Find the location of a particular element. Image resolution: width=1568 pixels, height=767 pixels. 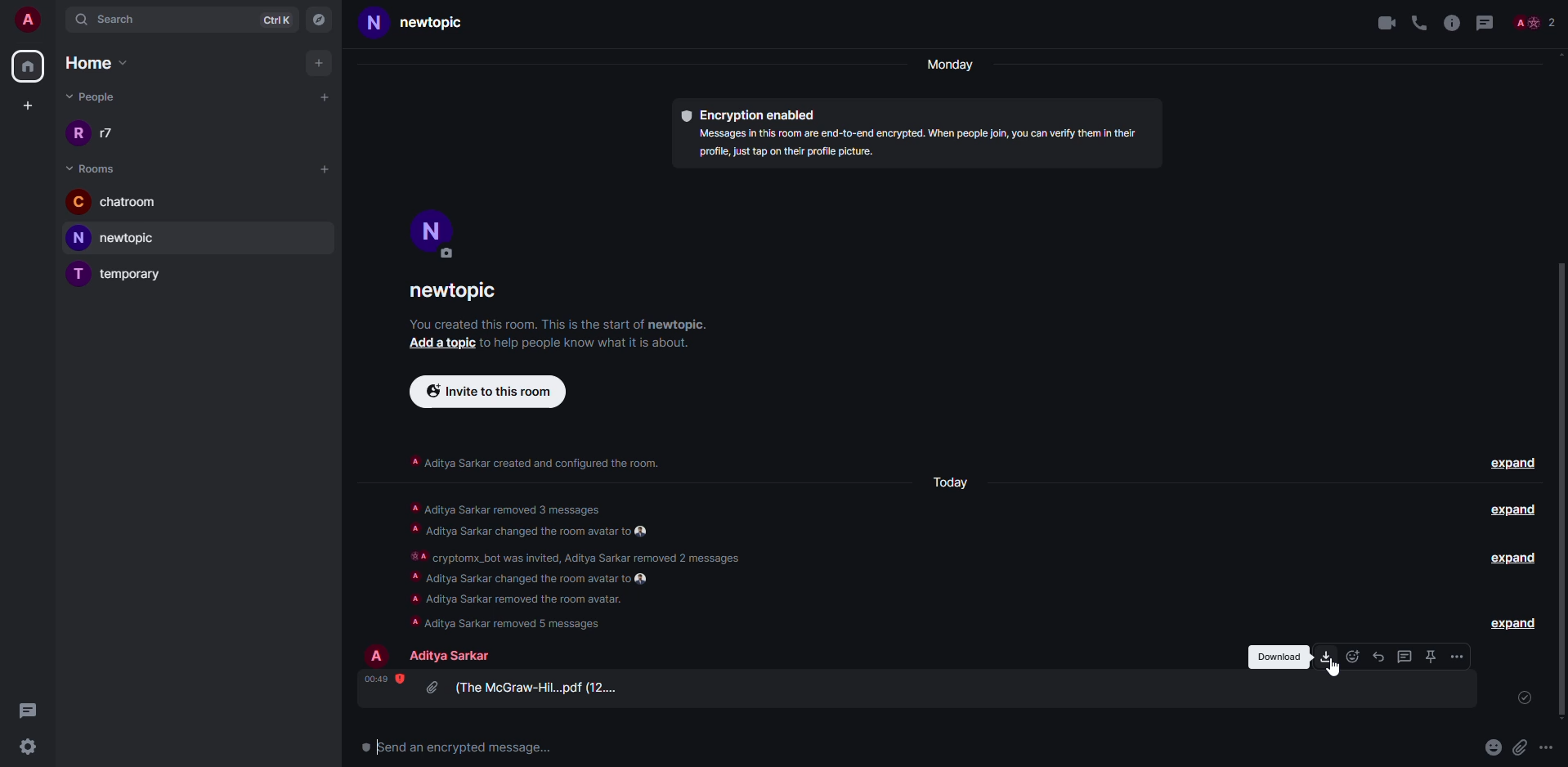

room is located at coordinates (127, 274).